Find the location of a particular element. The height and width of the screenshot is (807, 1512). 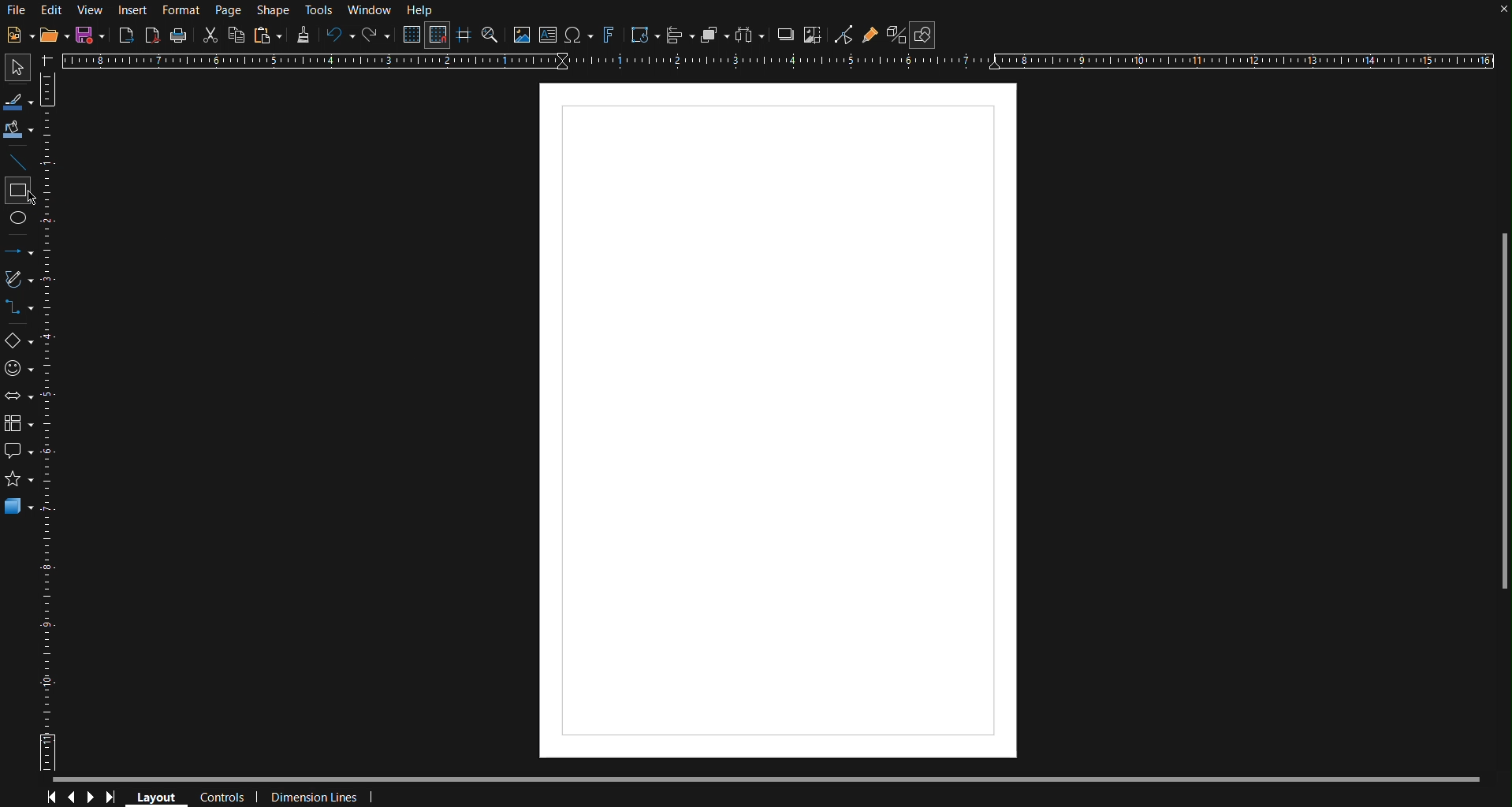

Crop Images is located at coordinates (814, 34).